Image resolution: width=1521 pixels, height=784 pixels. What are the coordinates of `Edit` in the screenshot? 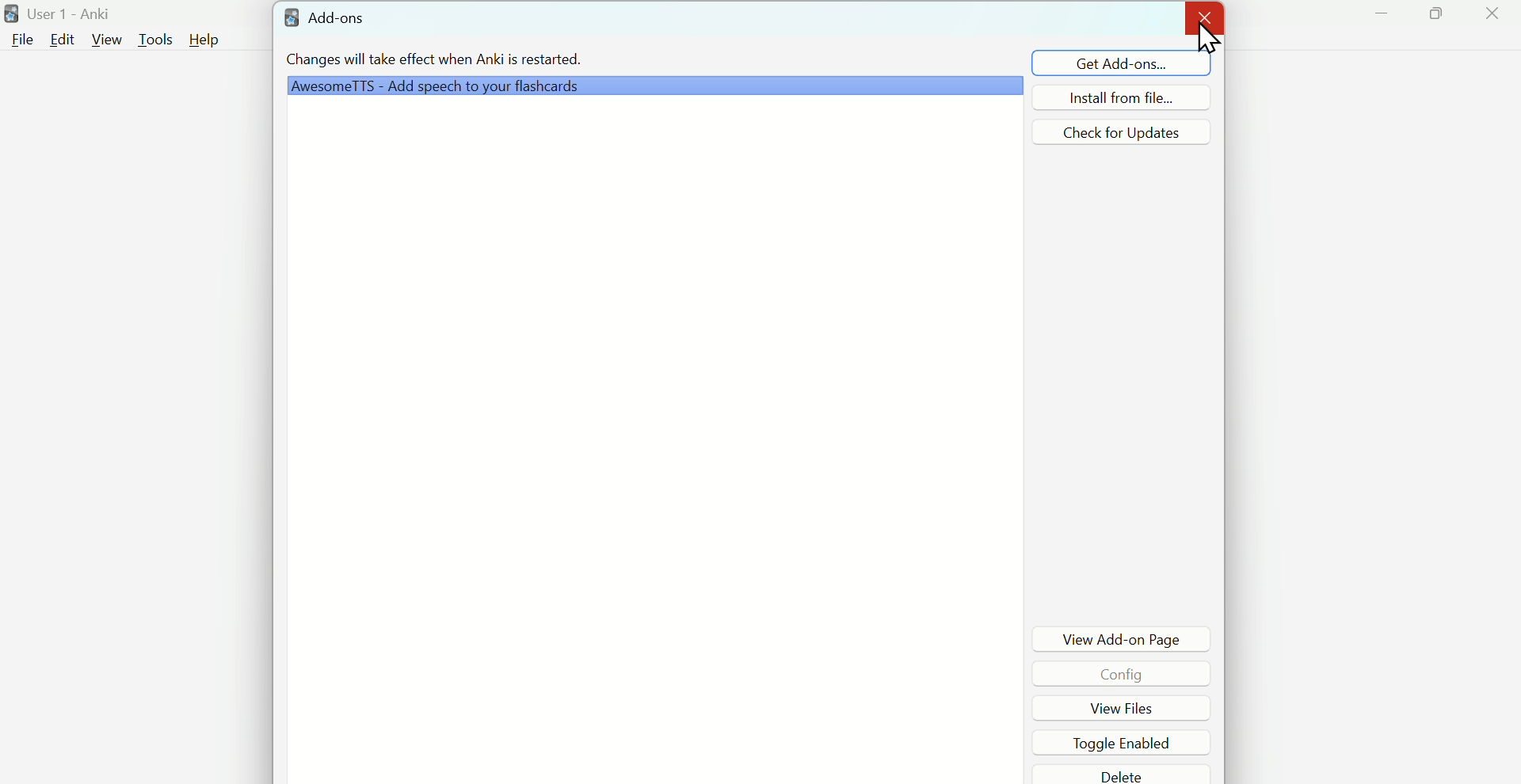 It's located at (61, 40).